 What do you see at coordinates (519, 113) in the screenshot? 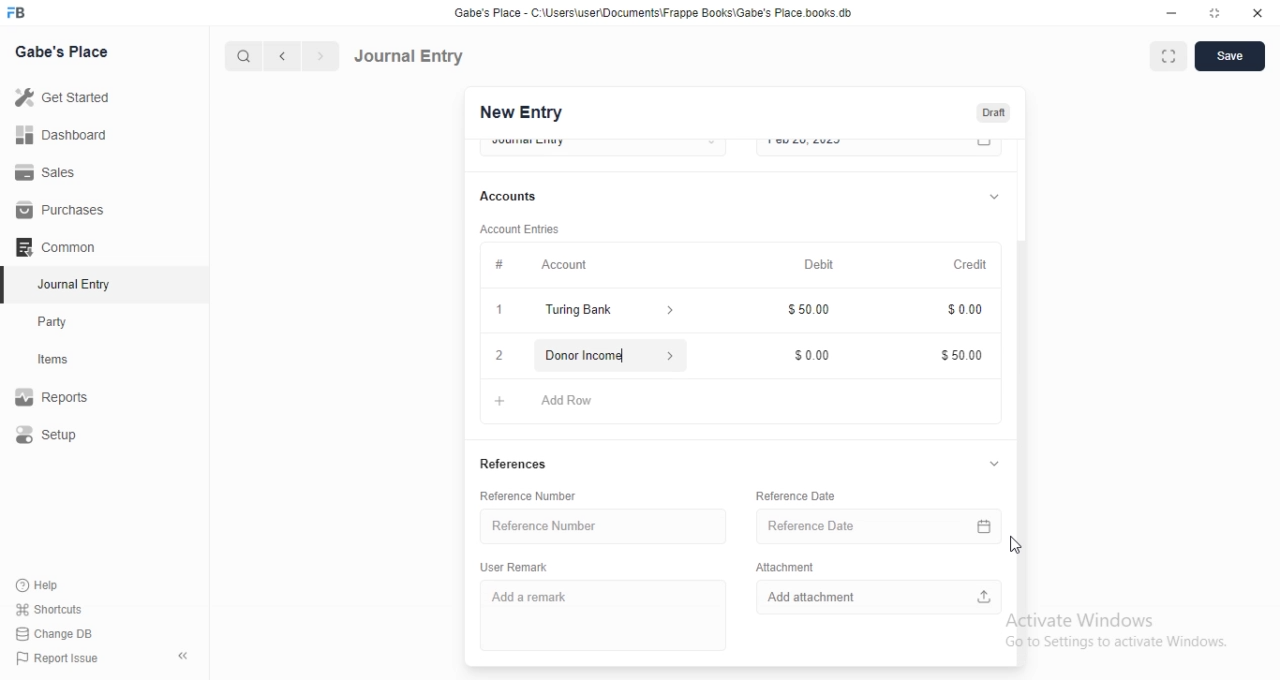
I see `New Entry` at bounding box center [519, 113].